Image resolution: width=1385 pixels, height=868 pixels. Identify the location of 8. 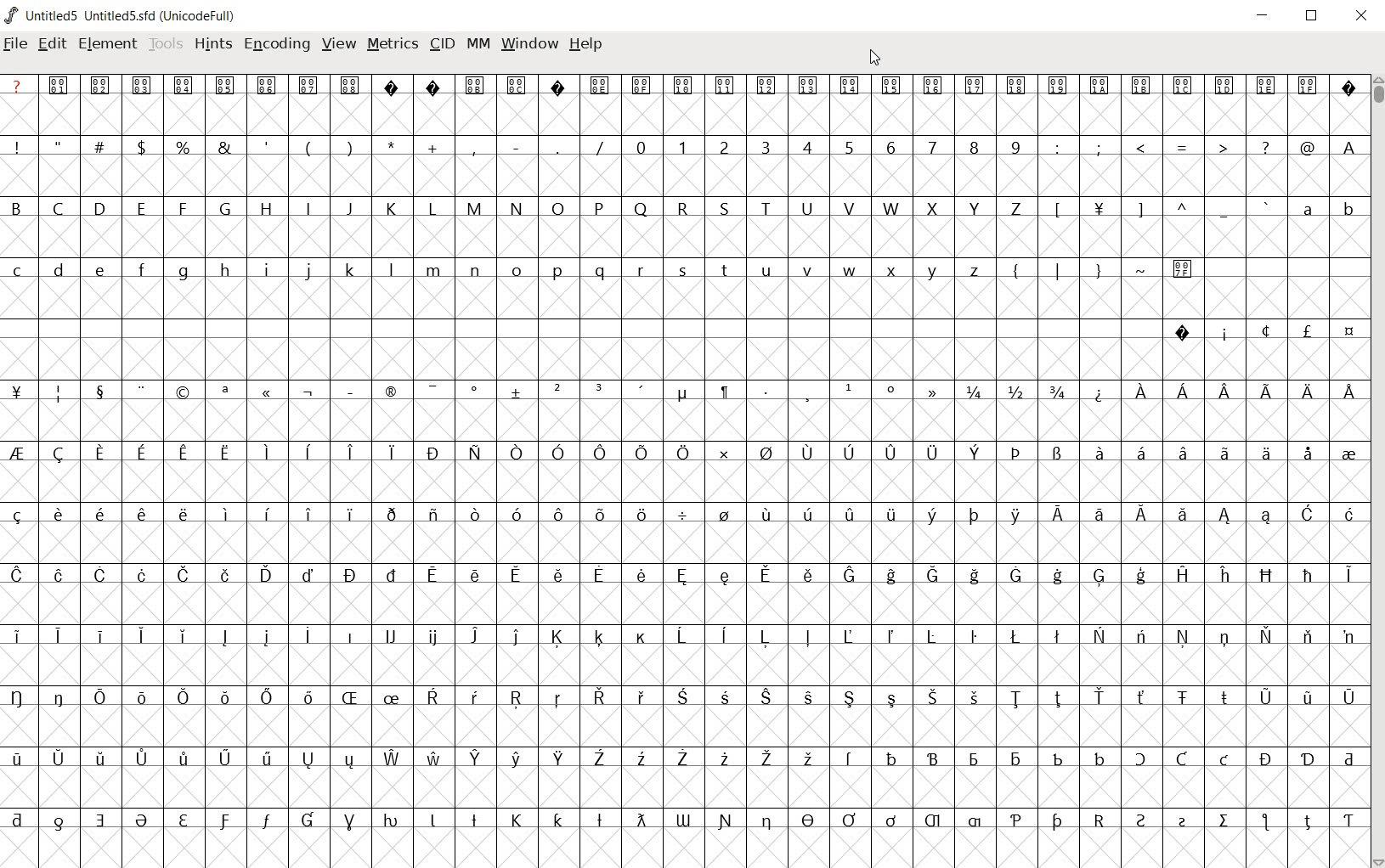
(973, 148).